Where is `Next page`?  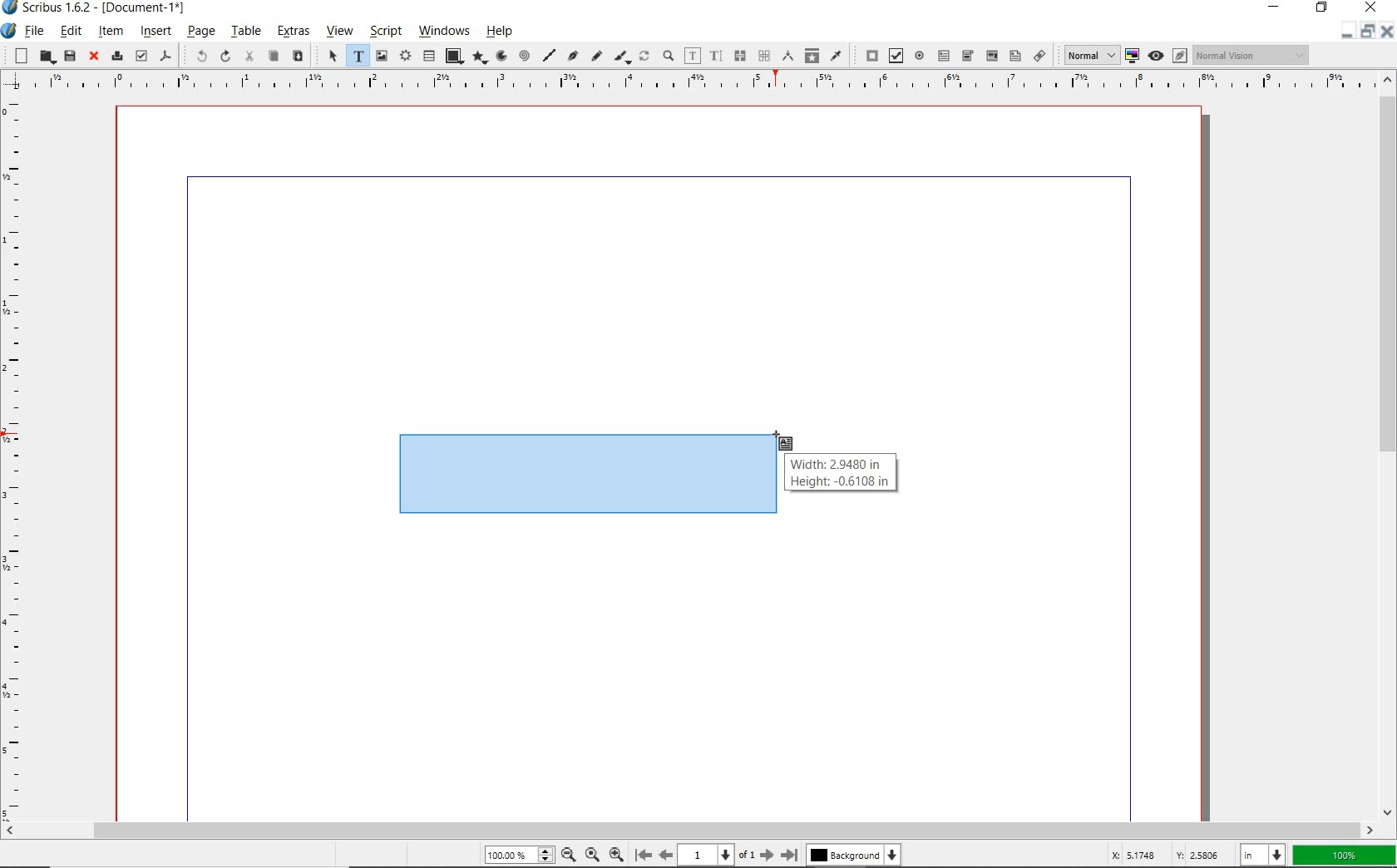
Next page is located at coordinates (766, 855).